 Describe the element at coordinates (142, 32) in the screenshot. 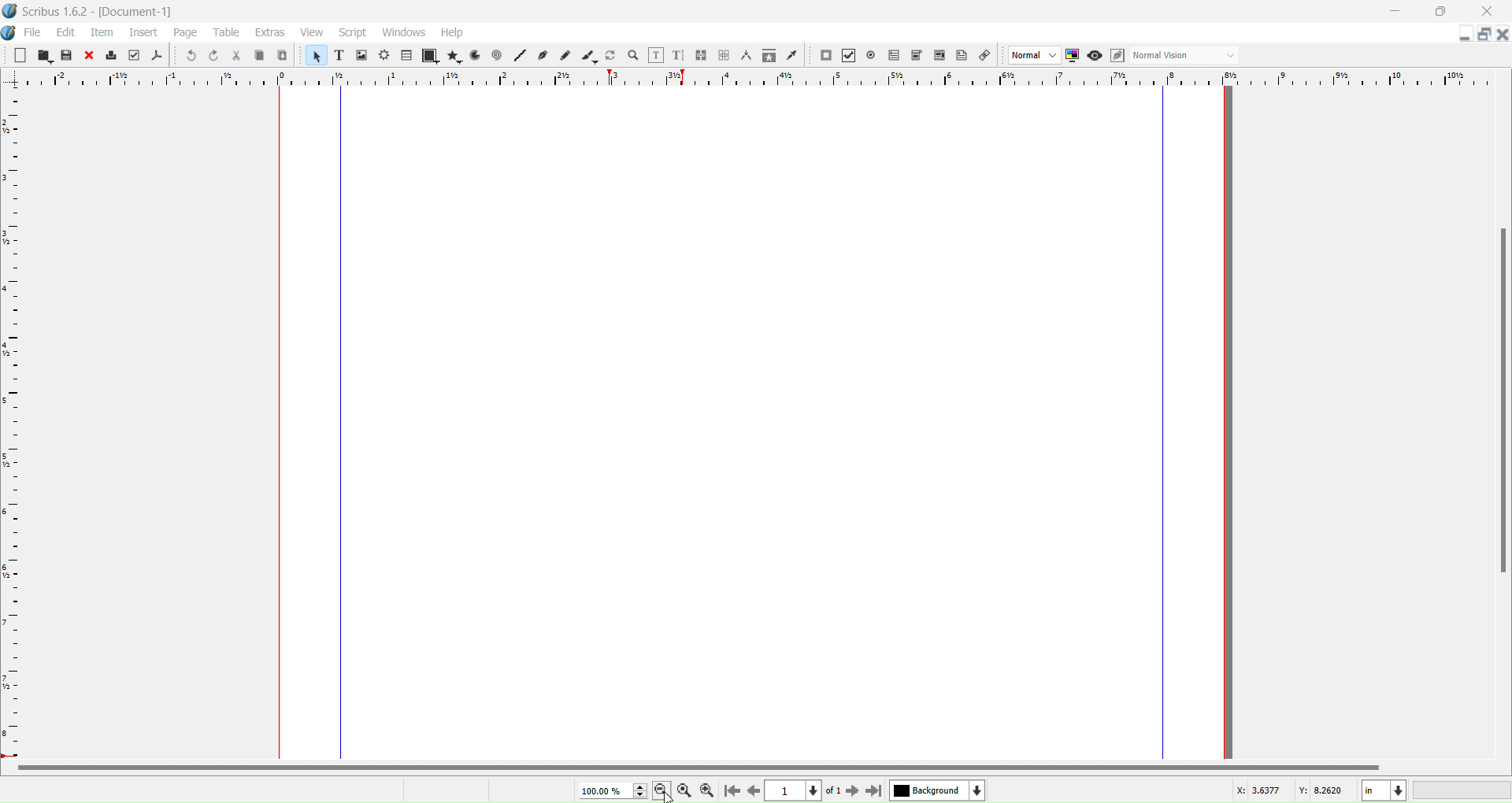

I see `Insert` at that location.